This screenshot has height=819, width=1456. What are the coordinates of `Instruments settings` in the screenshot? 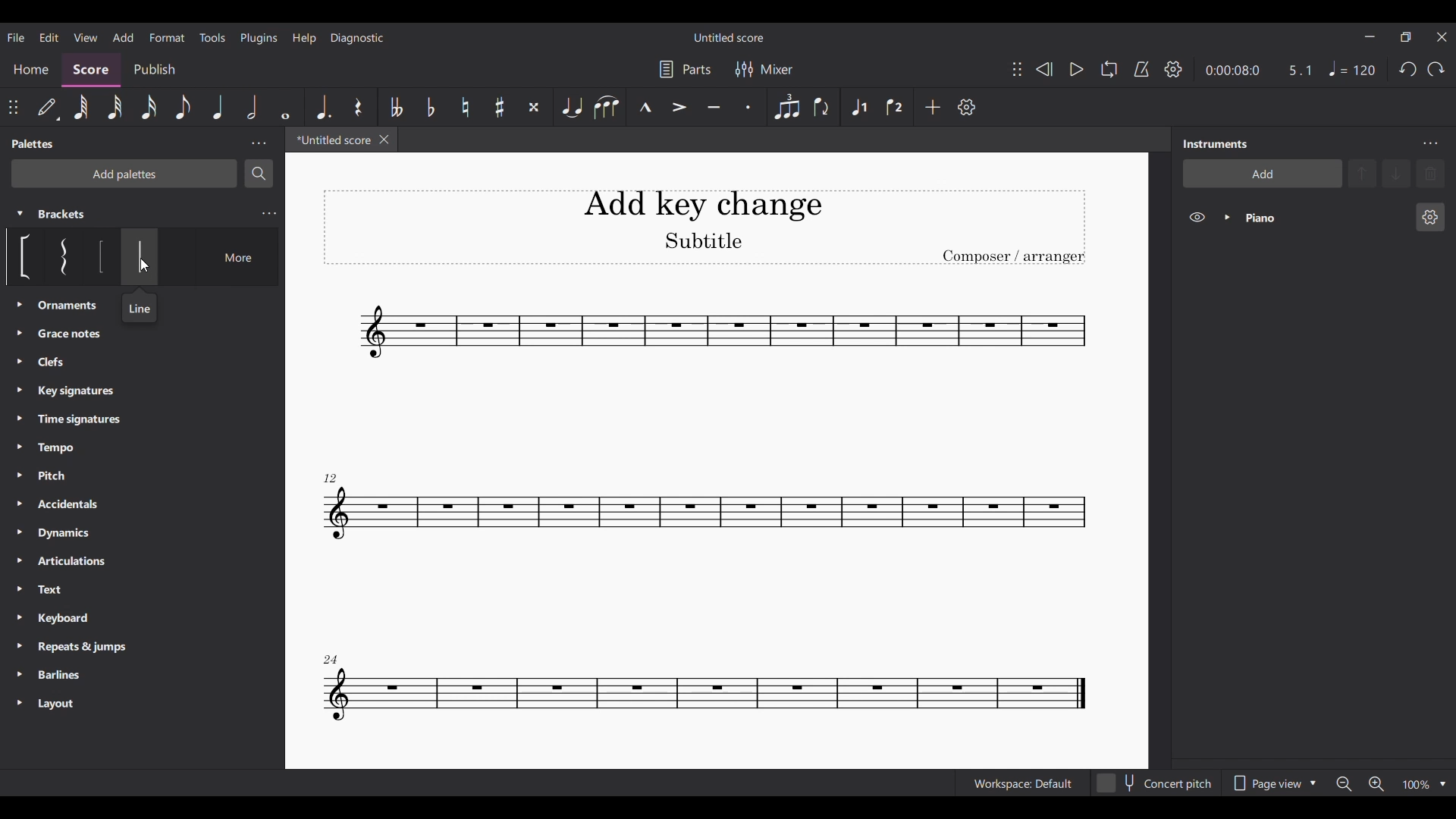 It's located at (1430, 143).